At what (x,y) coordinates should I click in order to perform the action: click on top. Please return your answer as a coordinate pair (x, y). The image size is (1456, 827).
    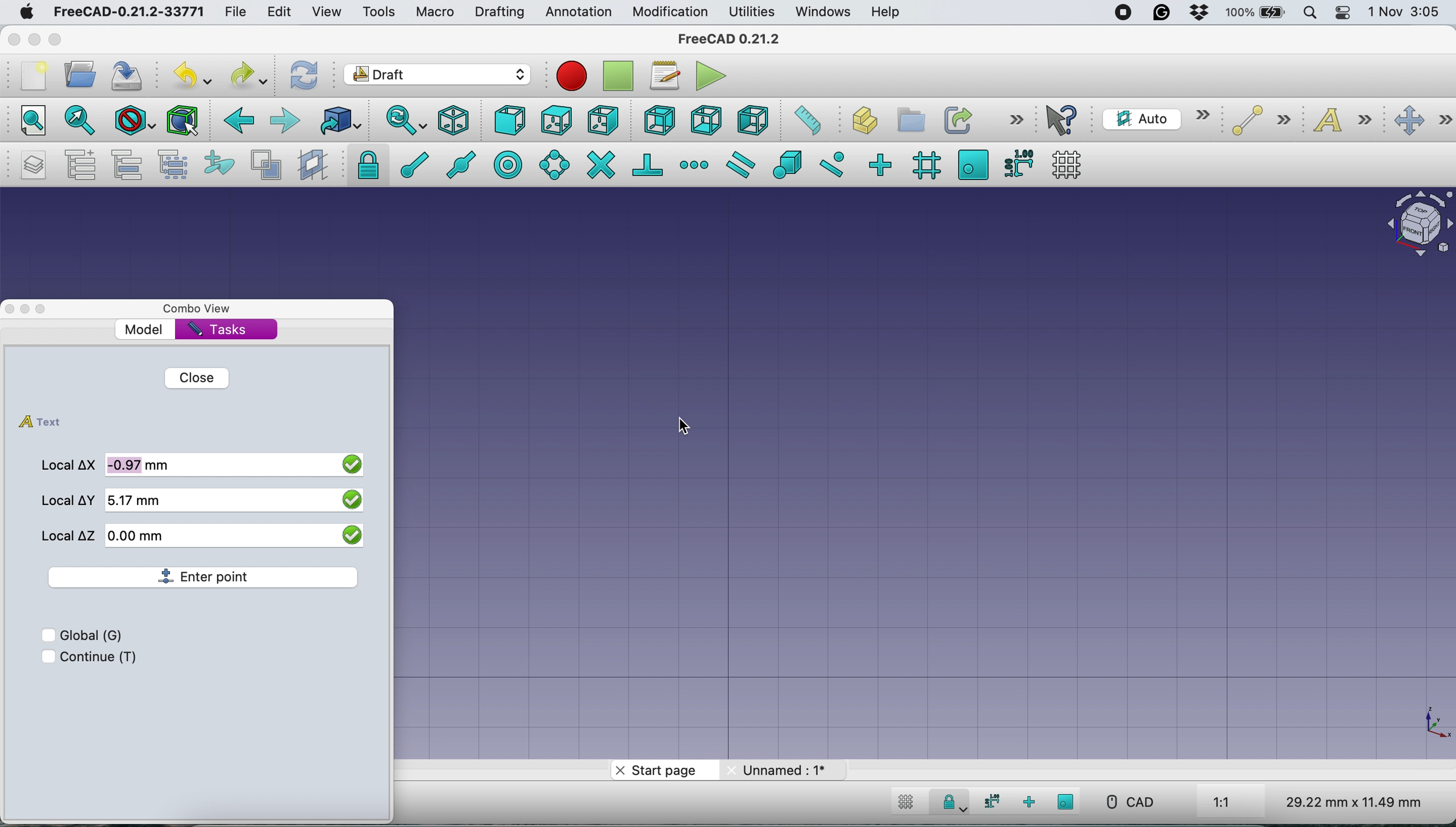
    Looking at the image, I should click on (556, 119).